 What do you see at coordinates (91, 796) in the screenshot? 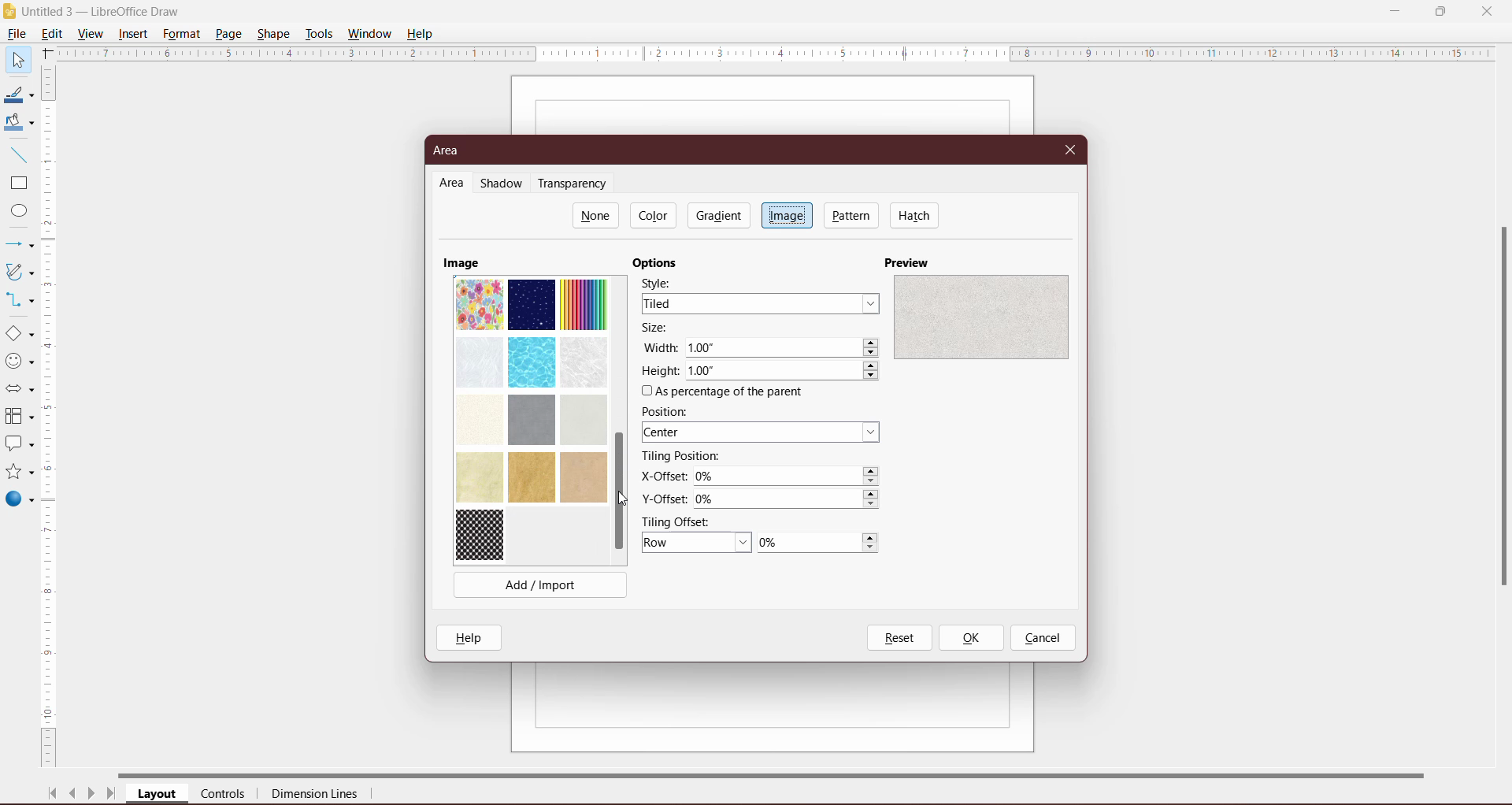
I see `Scroll to next page` at bounding box center [91, 796].